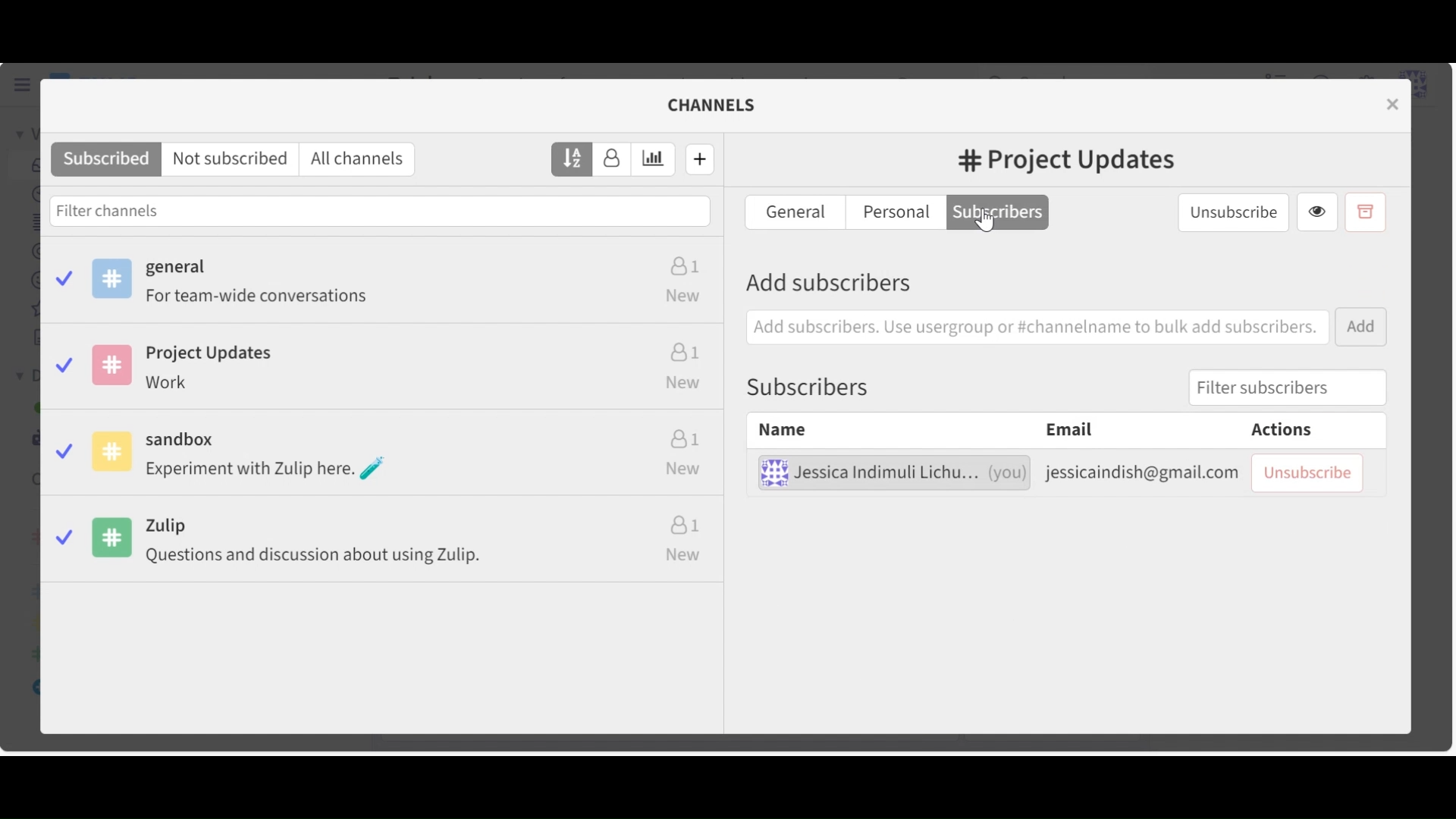 The image size is (1456, 819). I want to click on Not subscribed, so click(229, 159).